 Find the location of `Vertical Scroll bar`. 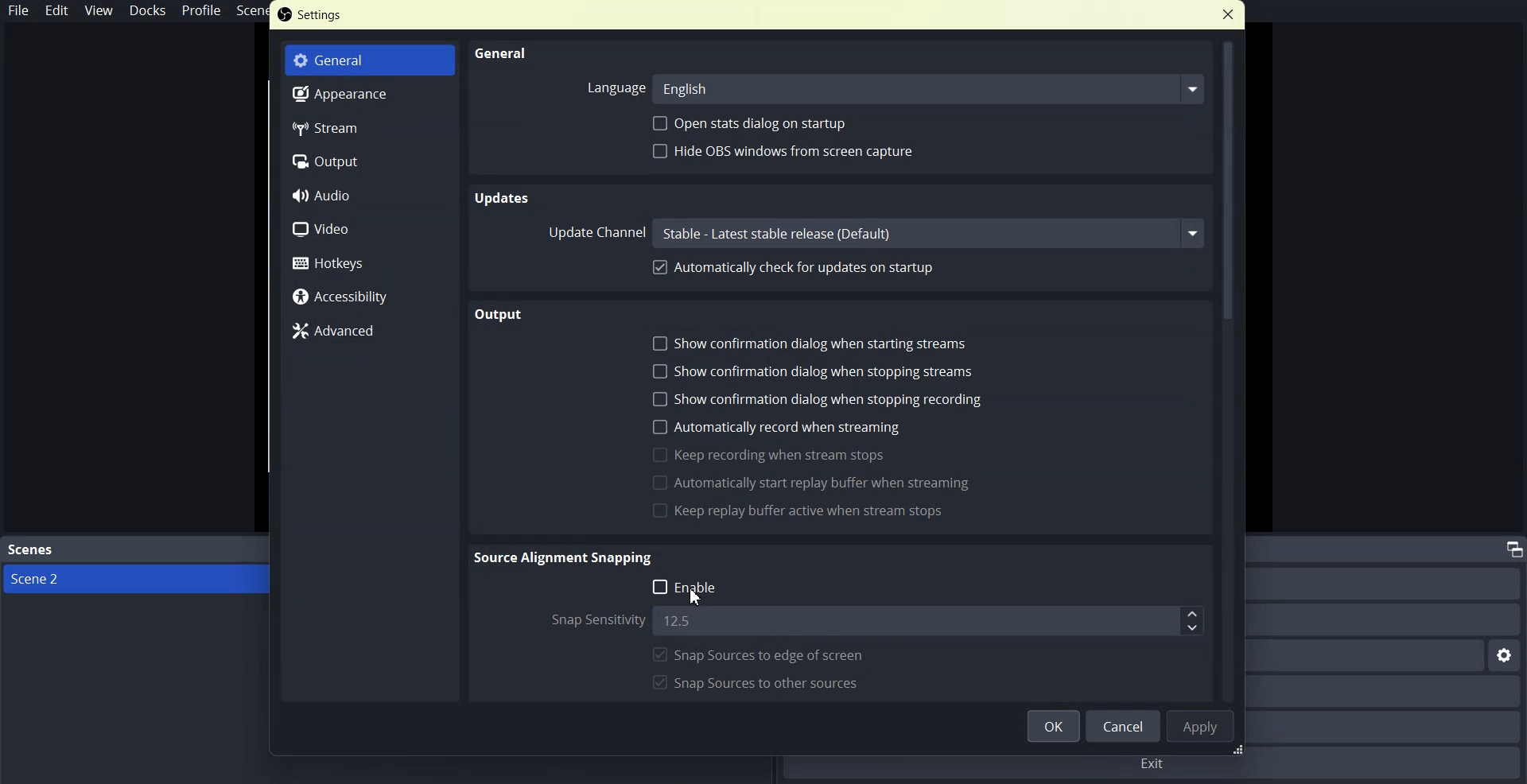

Vertical Scroll bar is located at coordinates (1230, 372).